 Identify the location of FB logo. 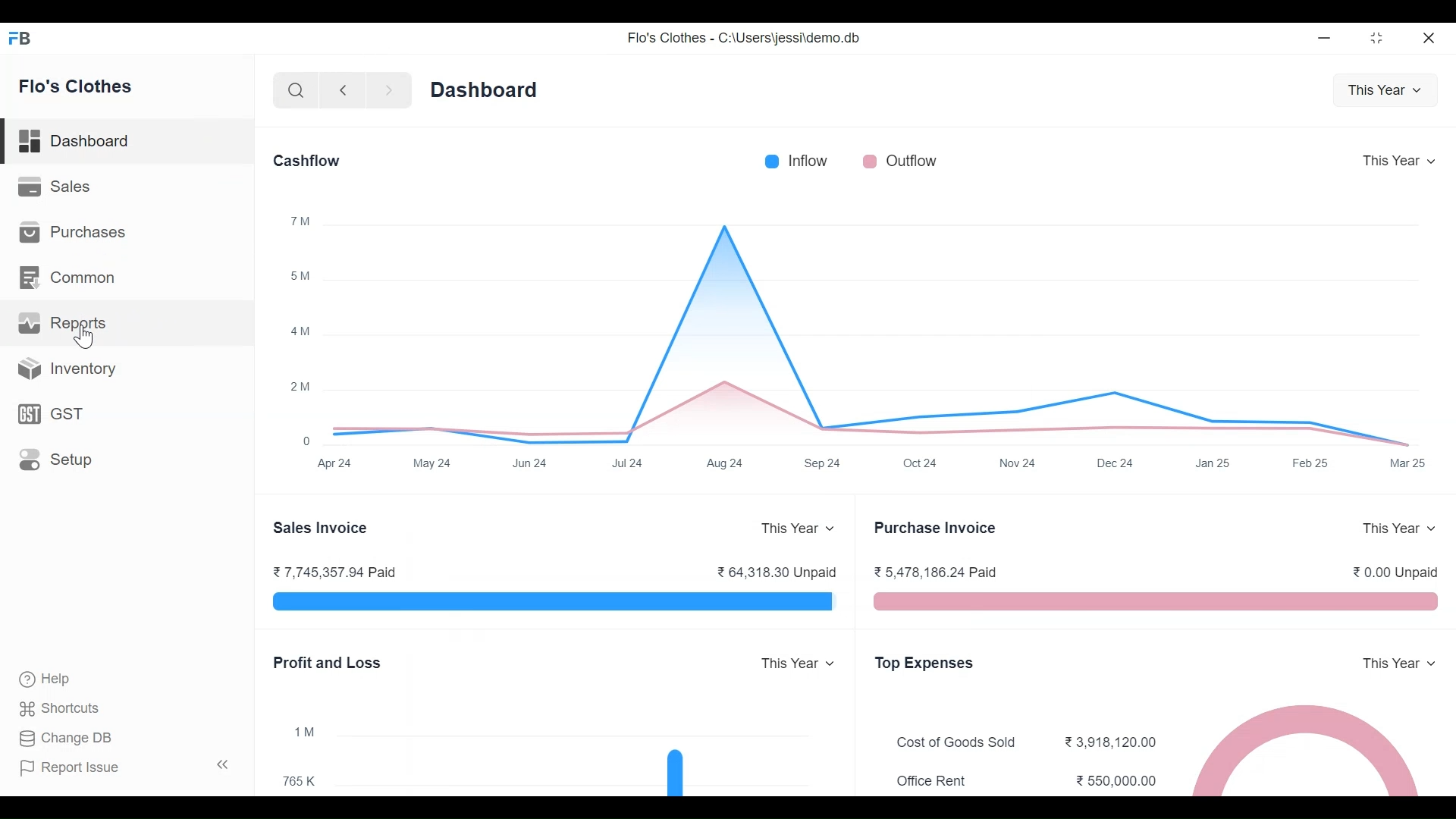
(20, 37).